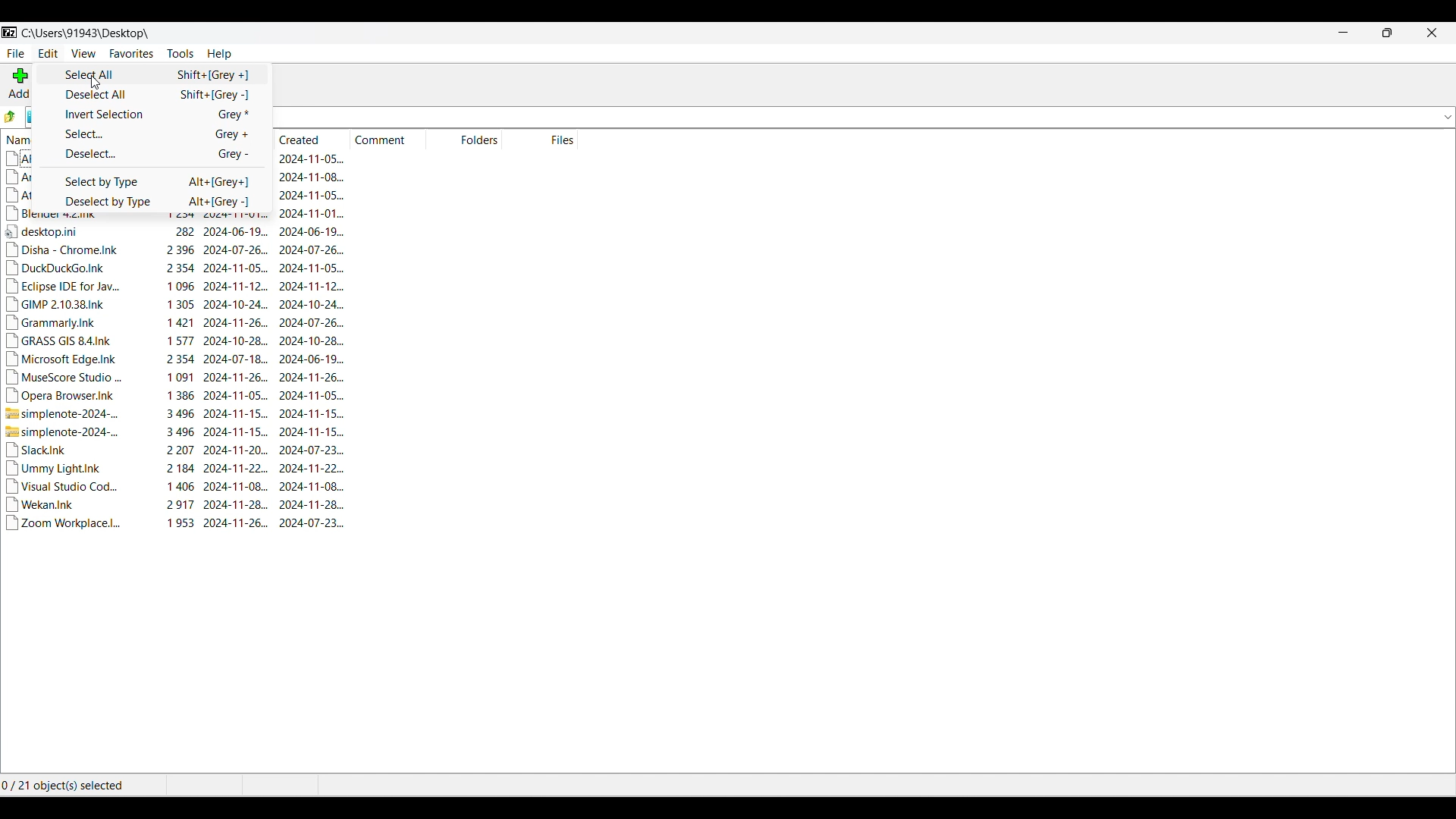 The height and width of the screenshot is (819, 1456). Describe the element at coordinates (154, 94) in the screenshot. I see `Deselect all` at that location.